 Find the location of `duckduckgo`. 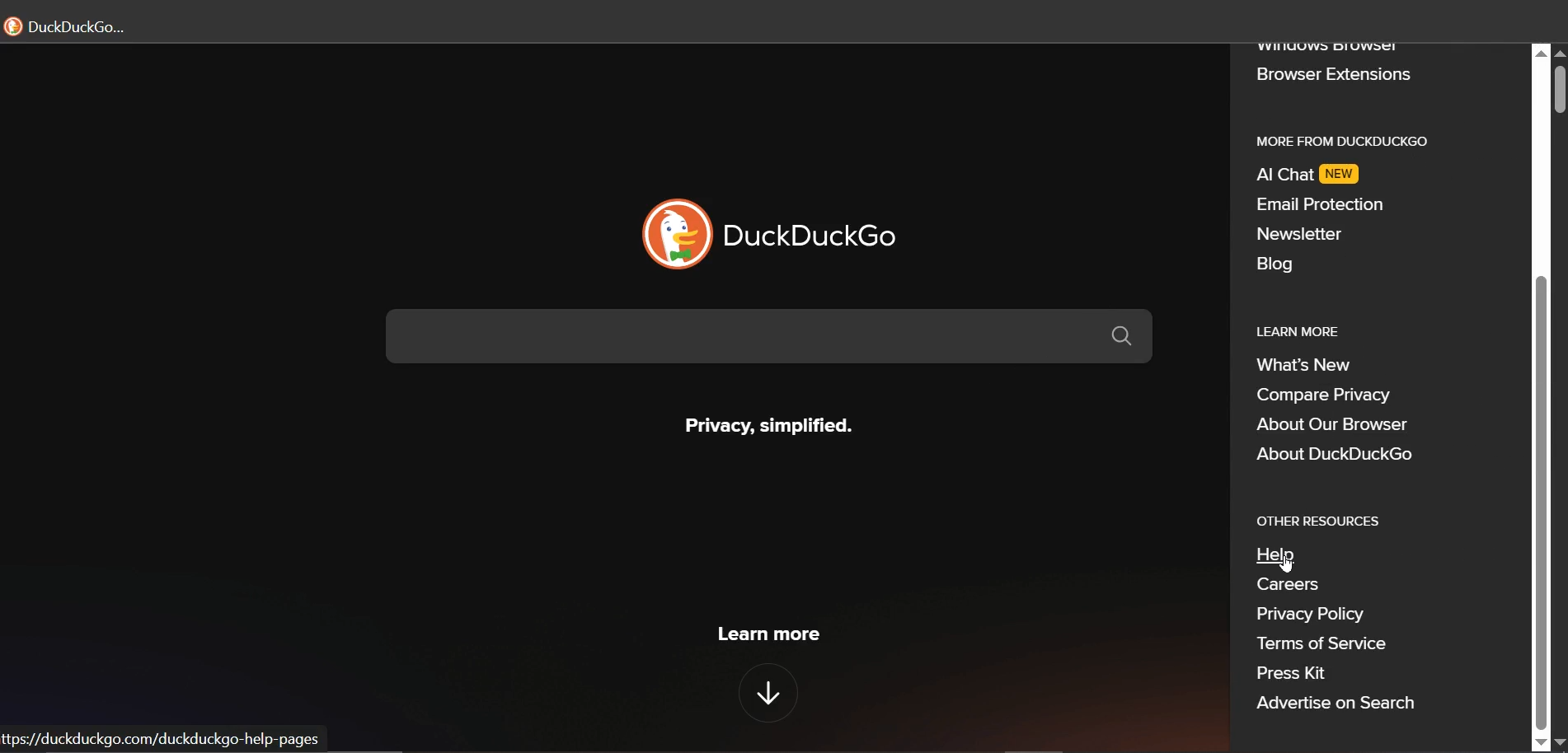

duckduckgo is located at coordinates (819, 233).